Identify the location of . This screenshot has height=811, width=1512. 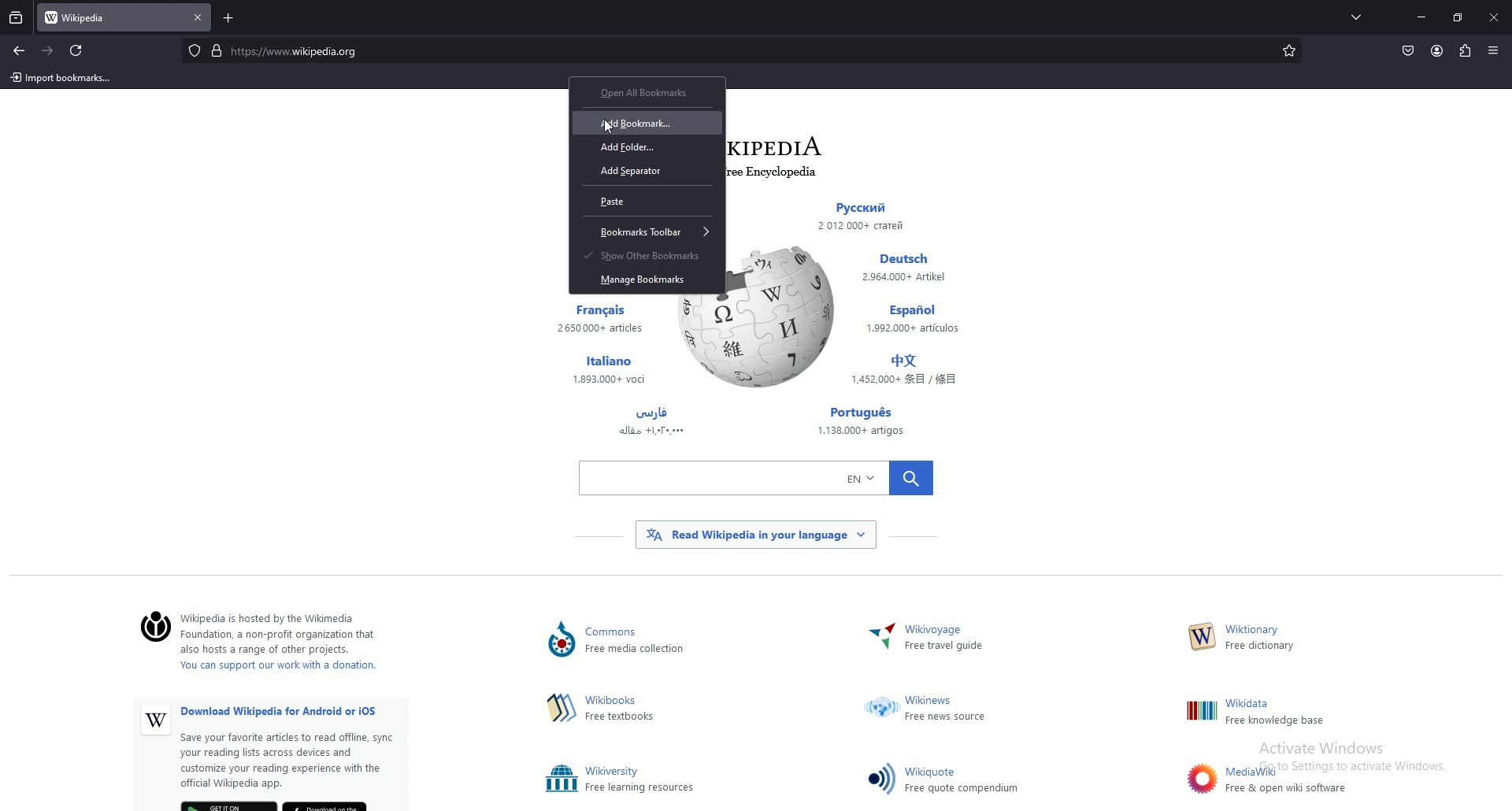
(1200, 711).